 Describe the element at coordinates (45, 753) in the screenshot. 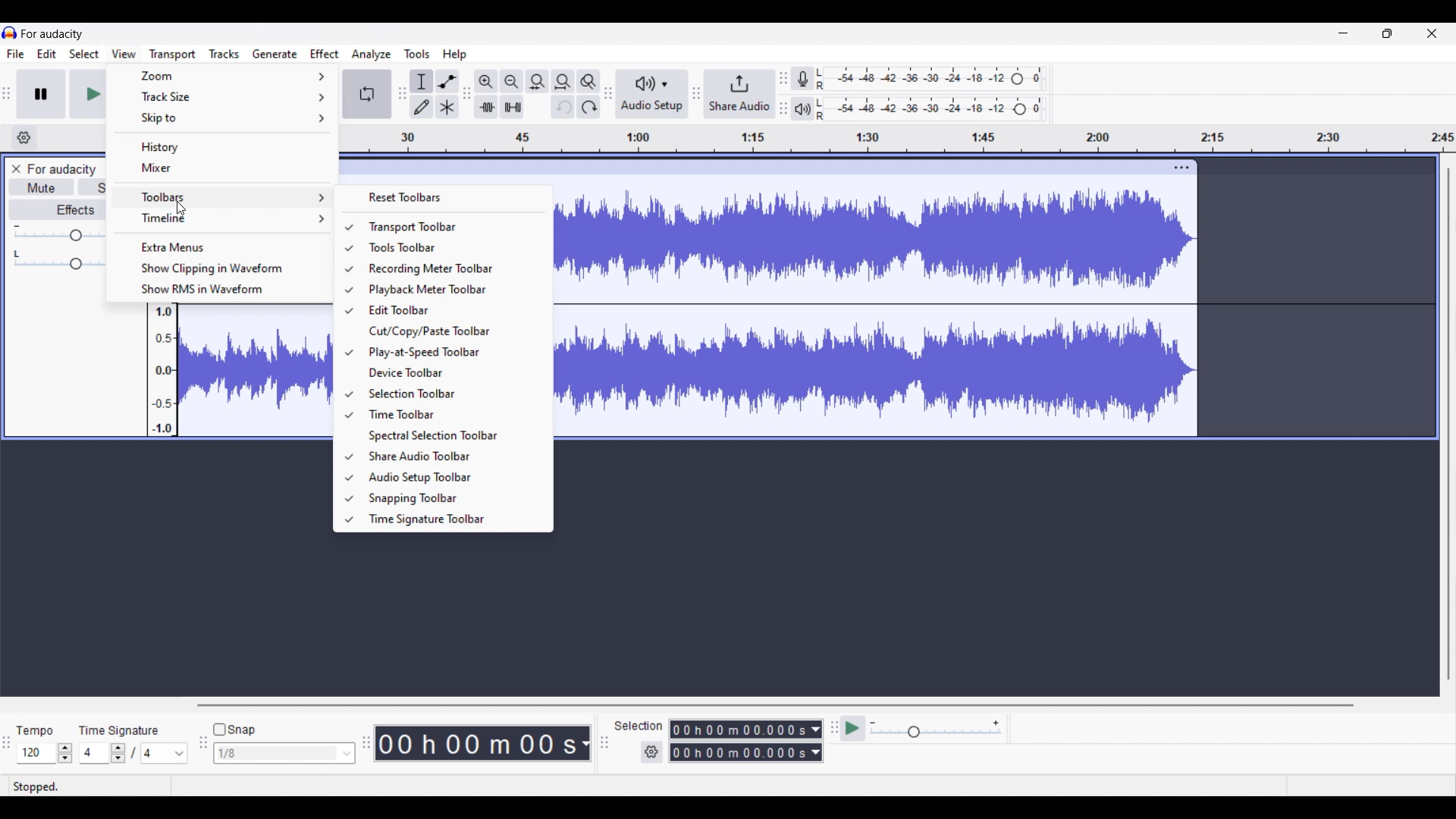

I see `tempo settings` at that location.